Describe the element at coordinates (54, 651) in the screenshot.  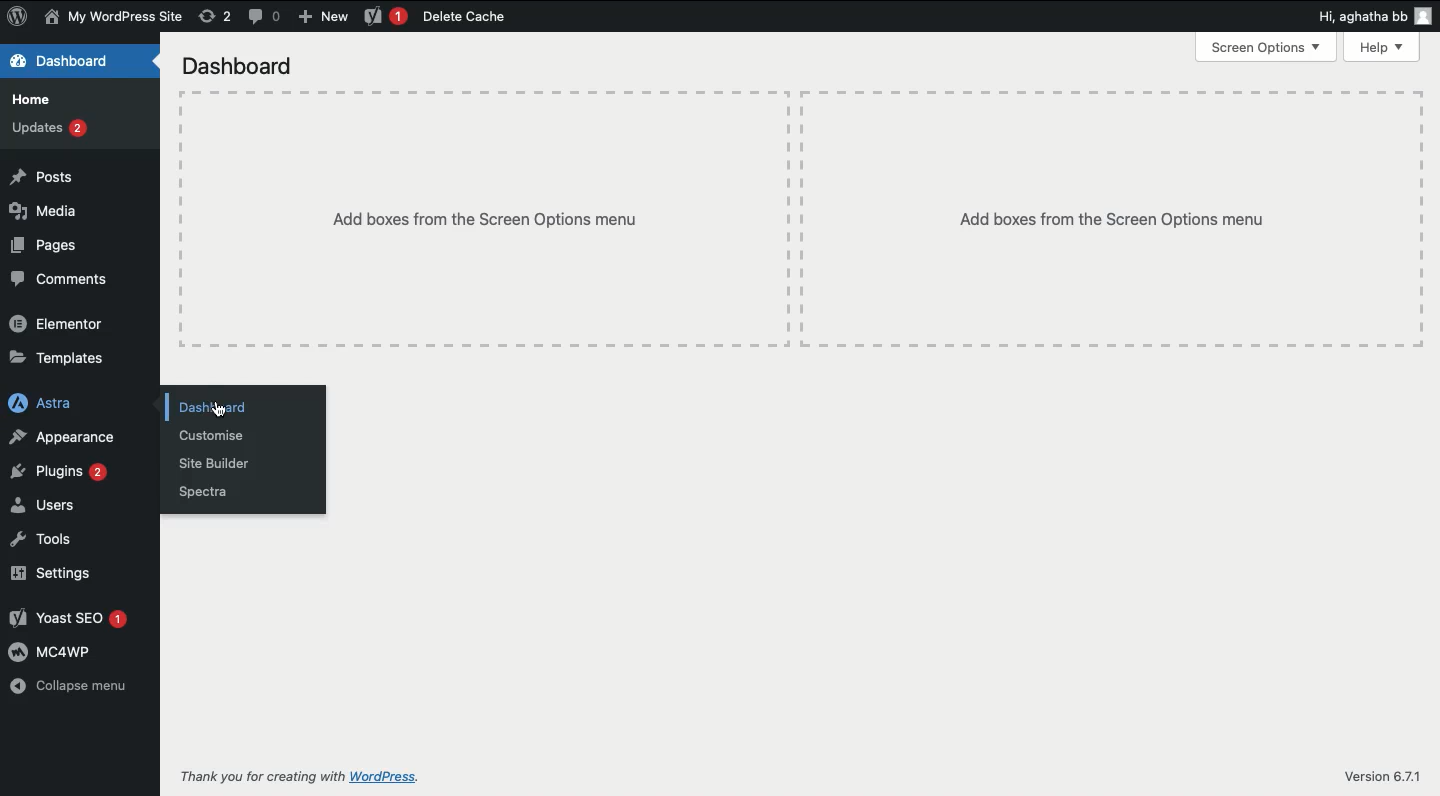
I see `MC4WP` at that location.